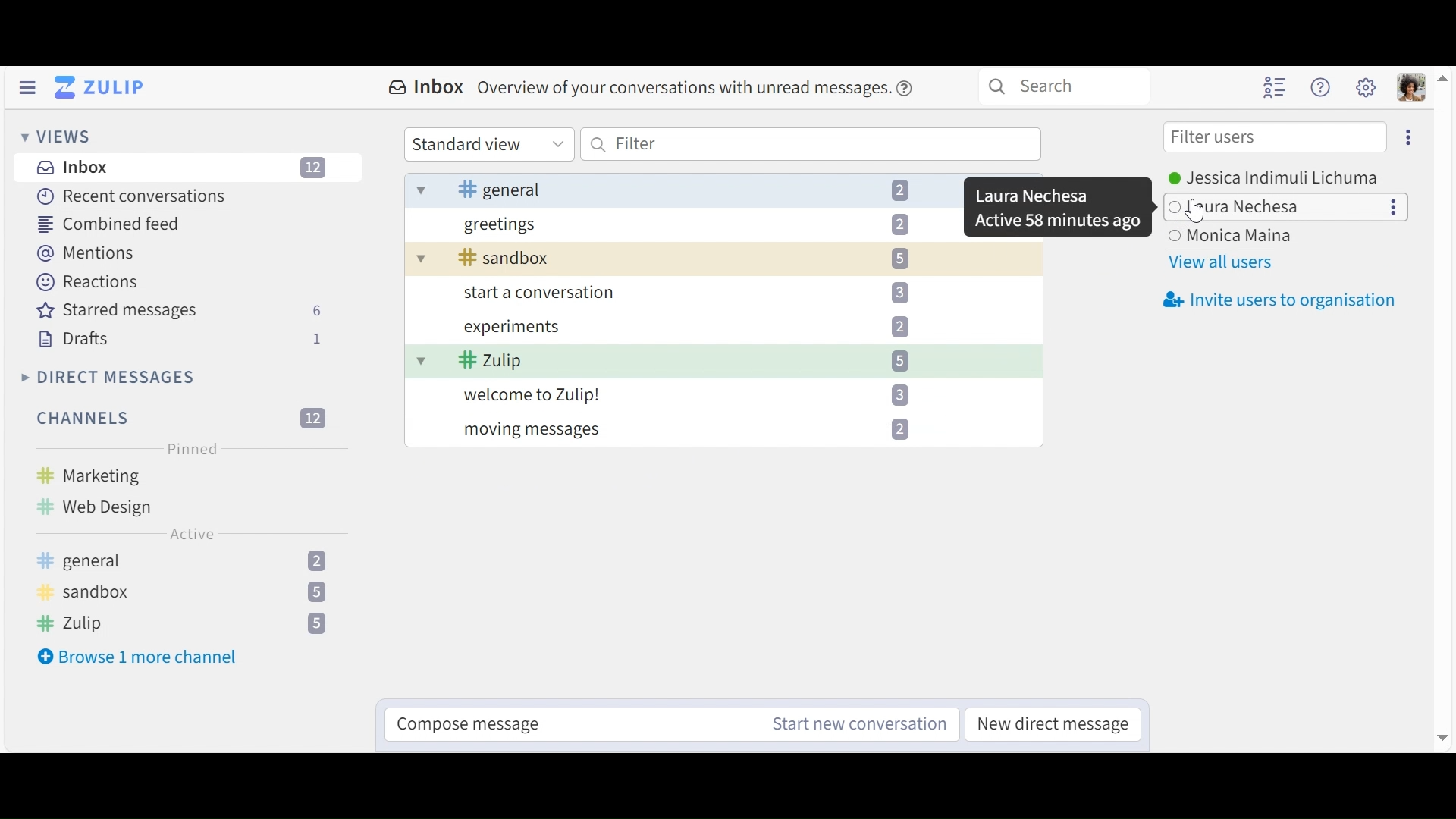  What do you see at coordinates (680, 190) in the screenshot?
I see ` general` at bounding box center [680, 190].